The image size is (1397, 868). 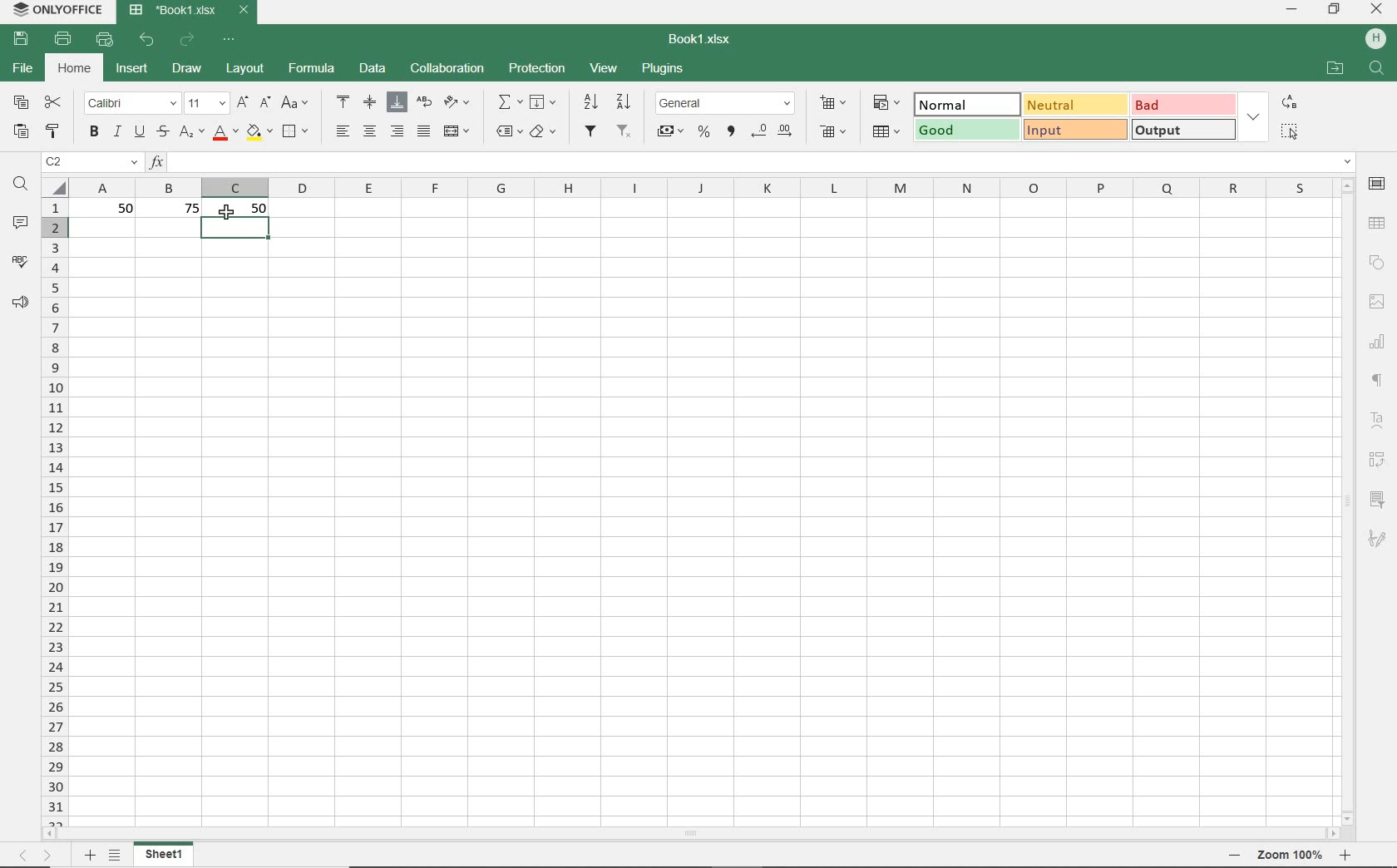 I want to click on delete cells, so click(x=831, y=130).